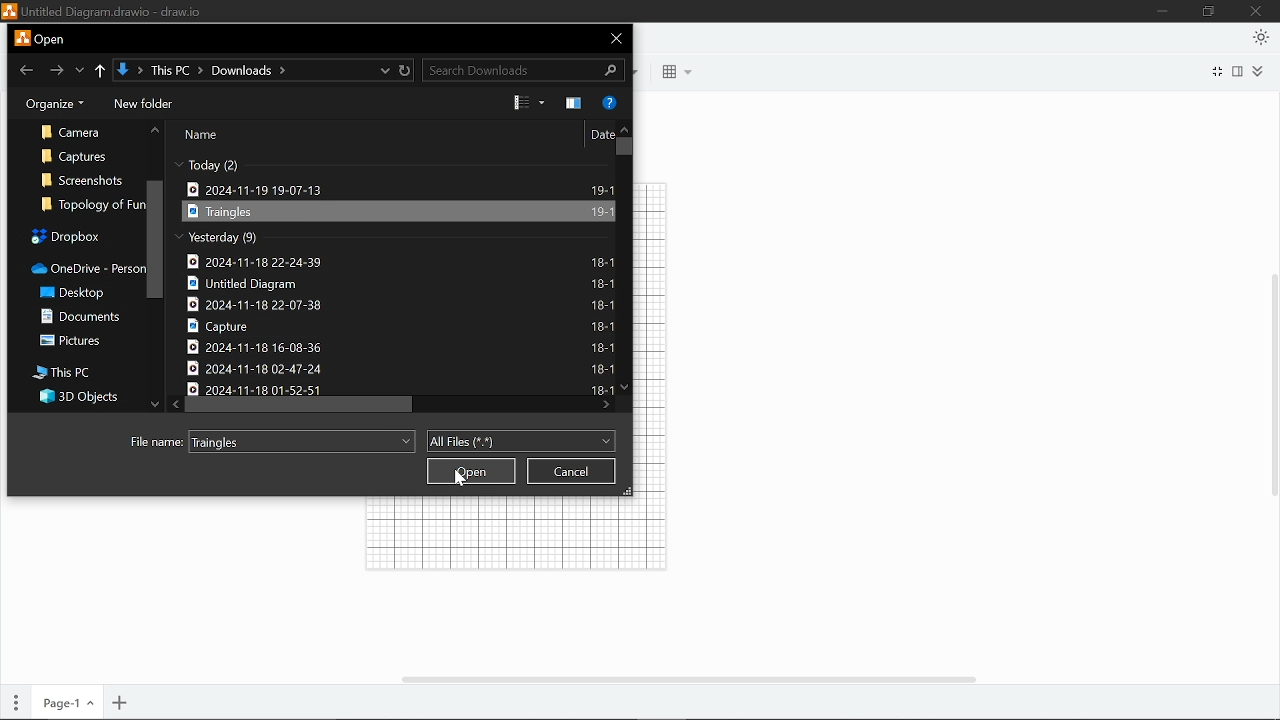  What do you see at coordinates (384, 69) in the screenshot?
I see `Current location` at bounding box center [384, 69].